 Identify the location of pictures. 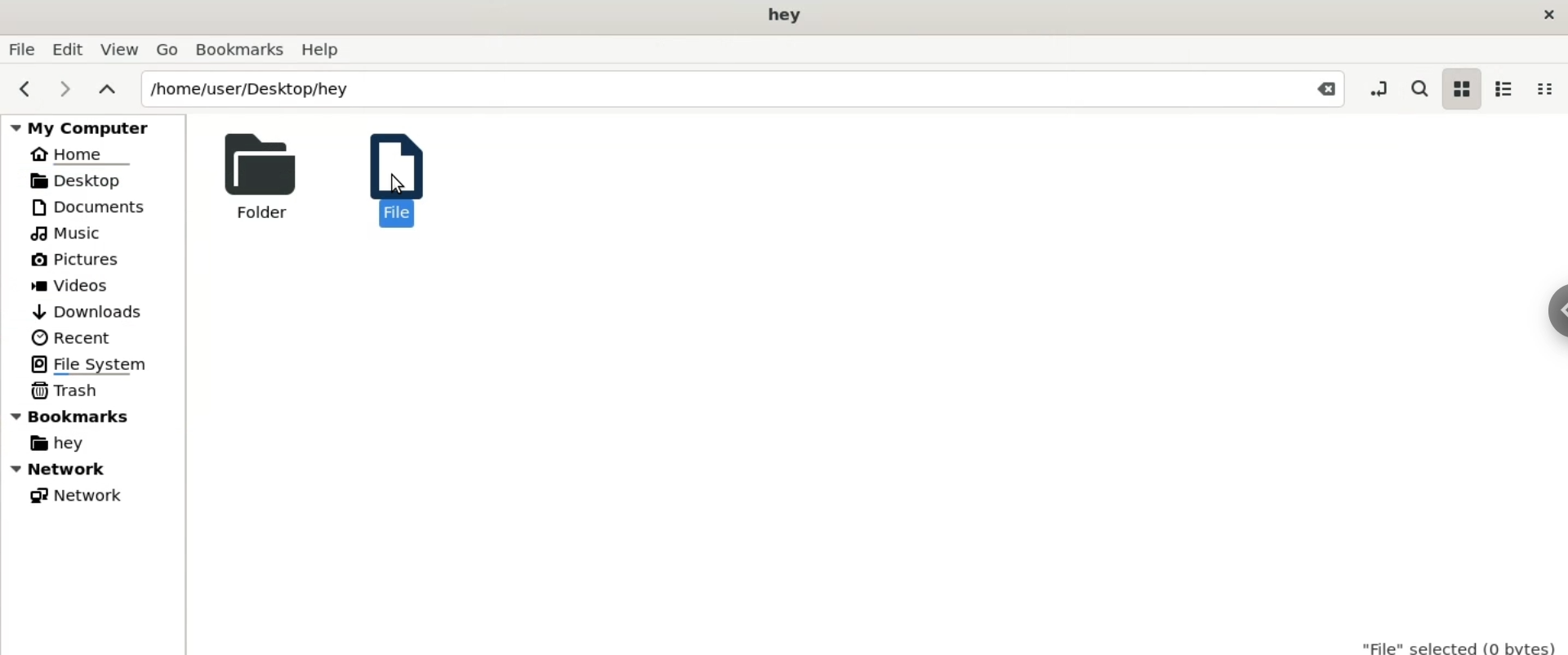
(76, 261).